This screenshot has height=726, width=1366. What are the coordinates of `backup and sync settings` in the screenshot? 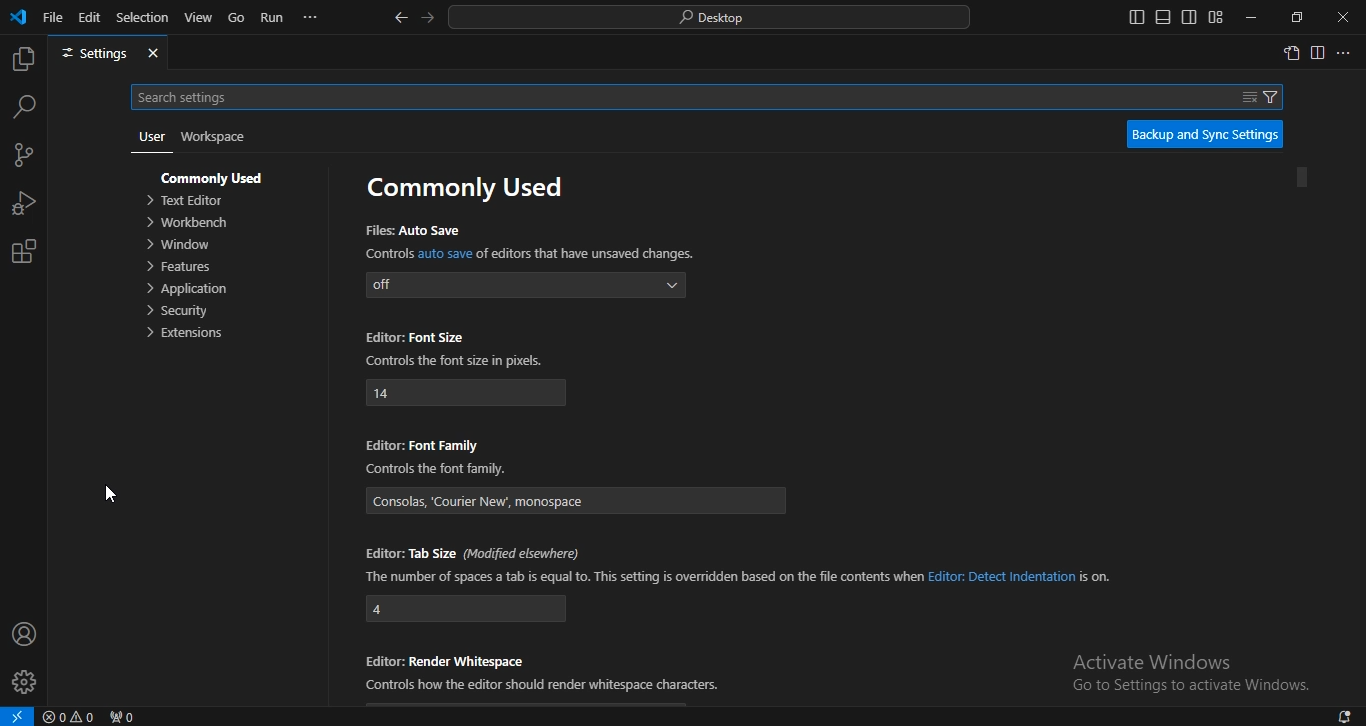 It's located at (1210, 132).